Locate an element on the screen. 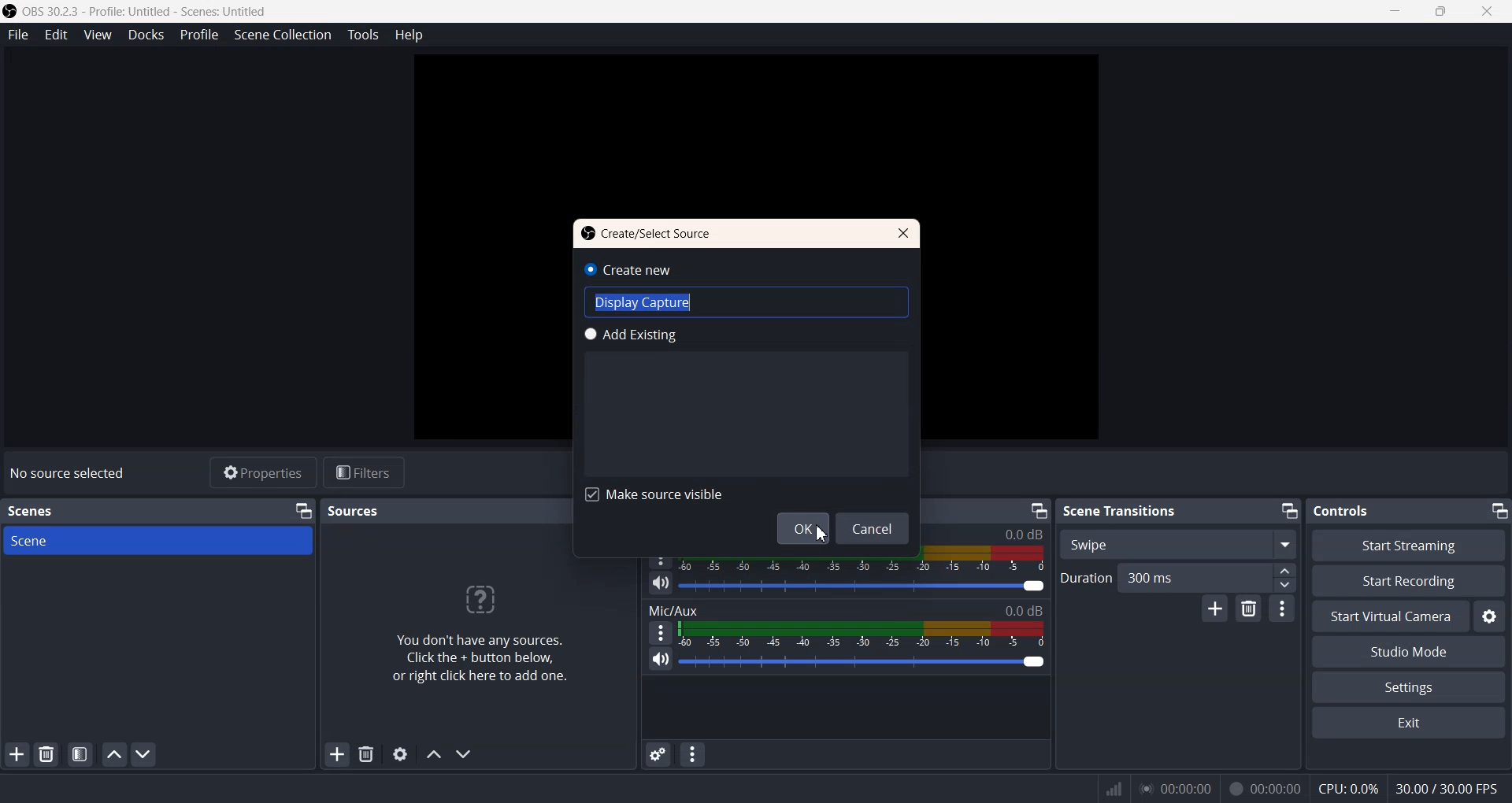  Scene Collection is located at coordinates (282, 35).